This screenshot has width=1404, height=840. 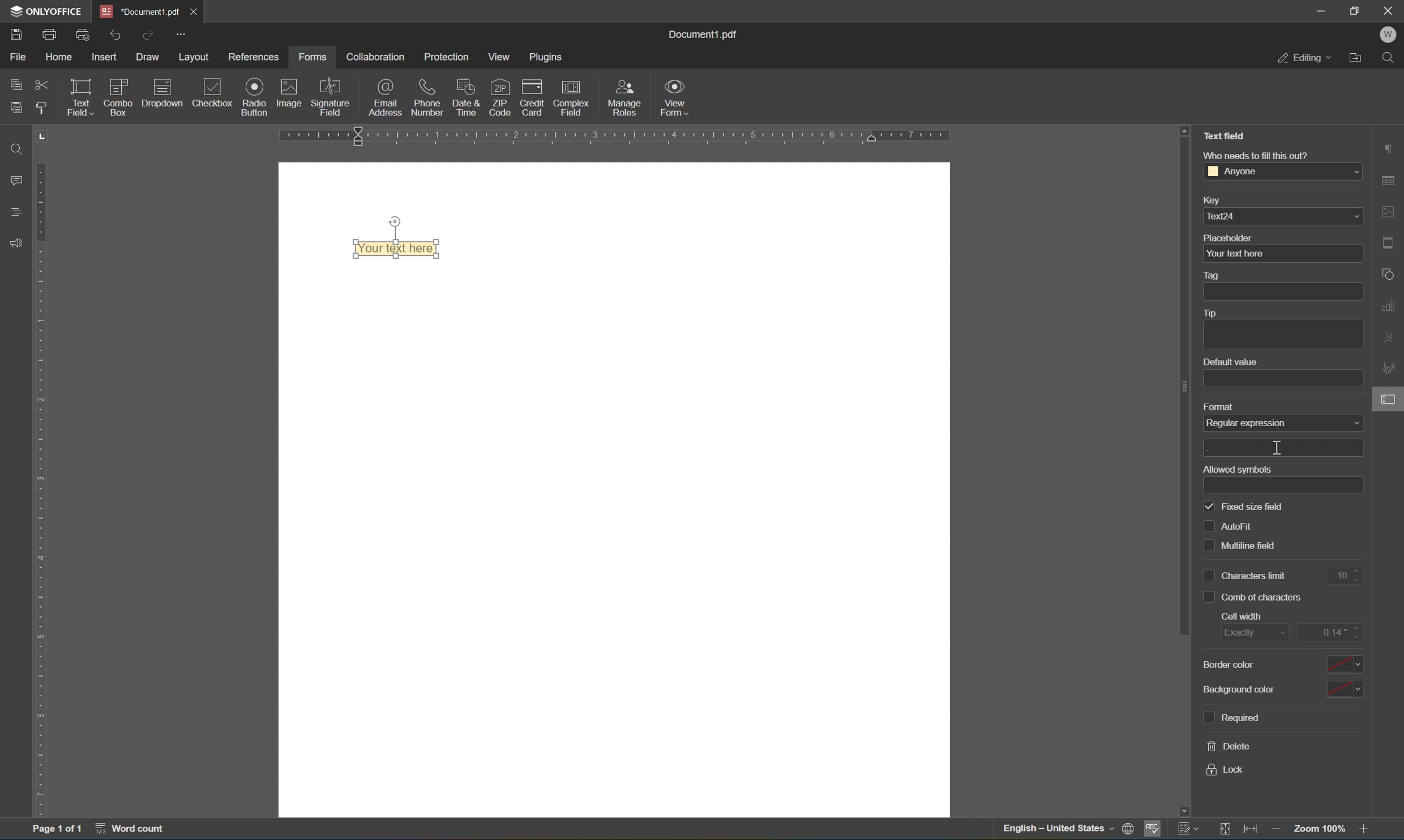 I want to click on spell checking, so click(x=1153, y=832).